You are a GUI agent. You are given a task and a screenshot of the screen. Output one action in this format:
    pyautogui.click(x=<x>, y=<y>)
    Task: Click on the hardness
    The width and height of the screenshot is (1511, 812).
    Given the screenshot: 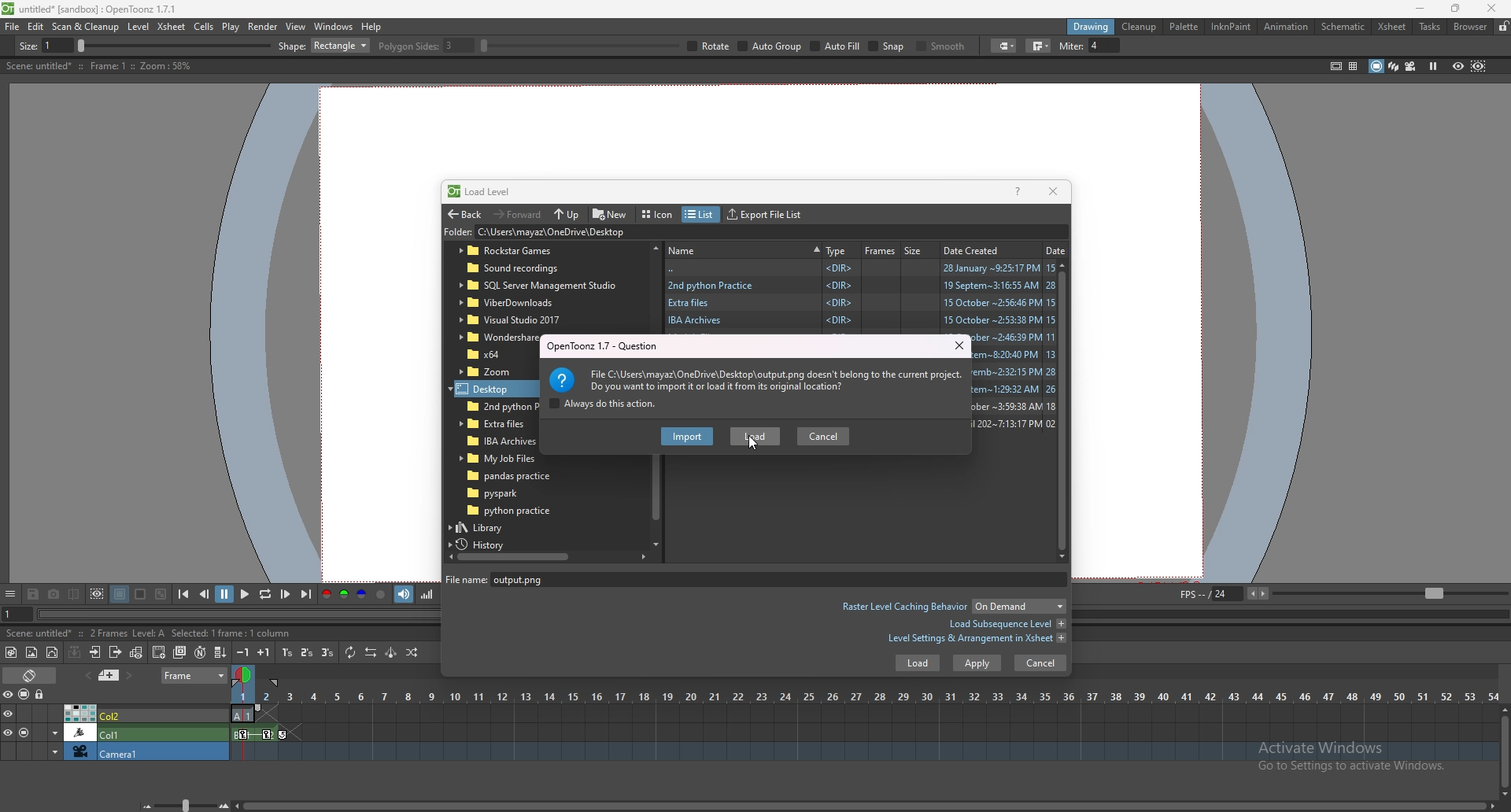 What is the action you would take?
    pyautogui.click(x=448, y=46)
    